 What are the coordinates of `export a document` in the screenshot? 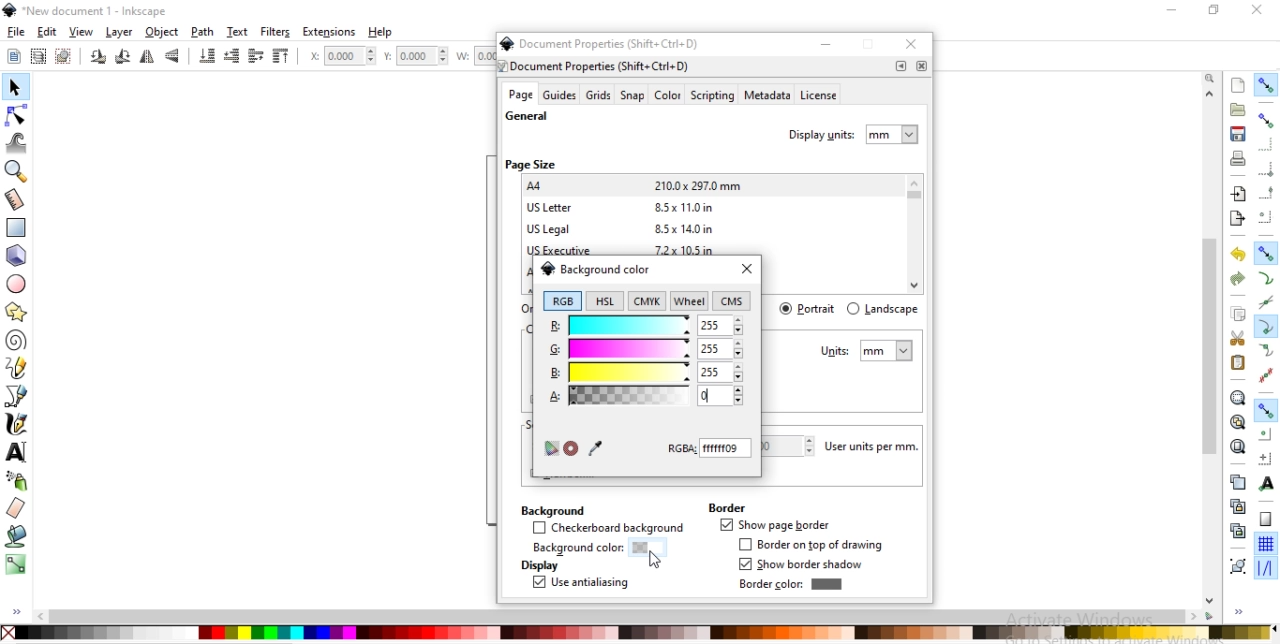 It's located at (1237, 219).